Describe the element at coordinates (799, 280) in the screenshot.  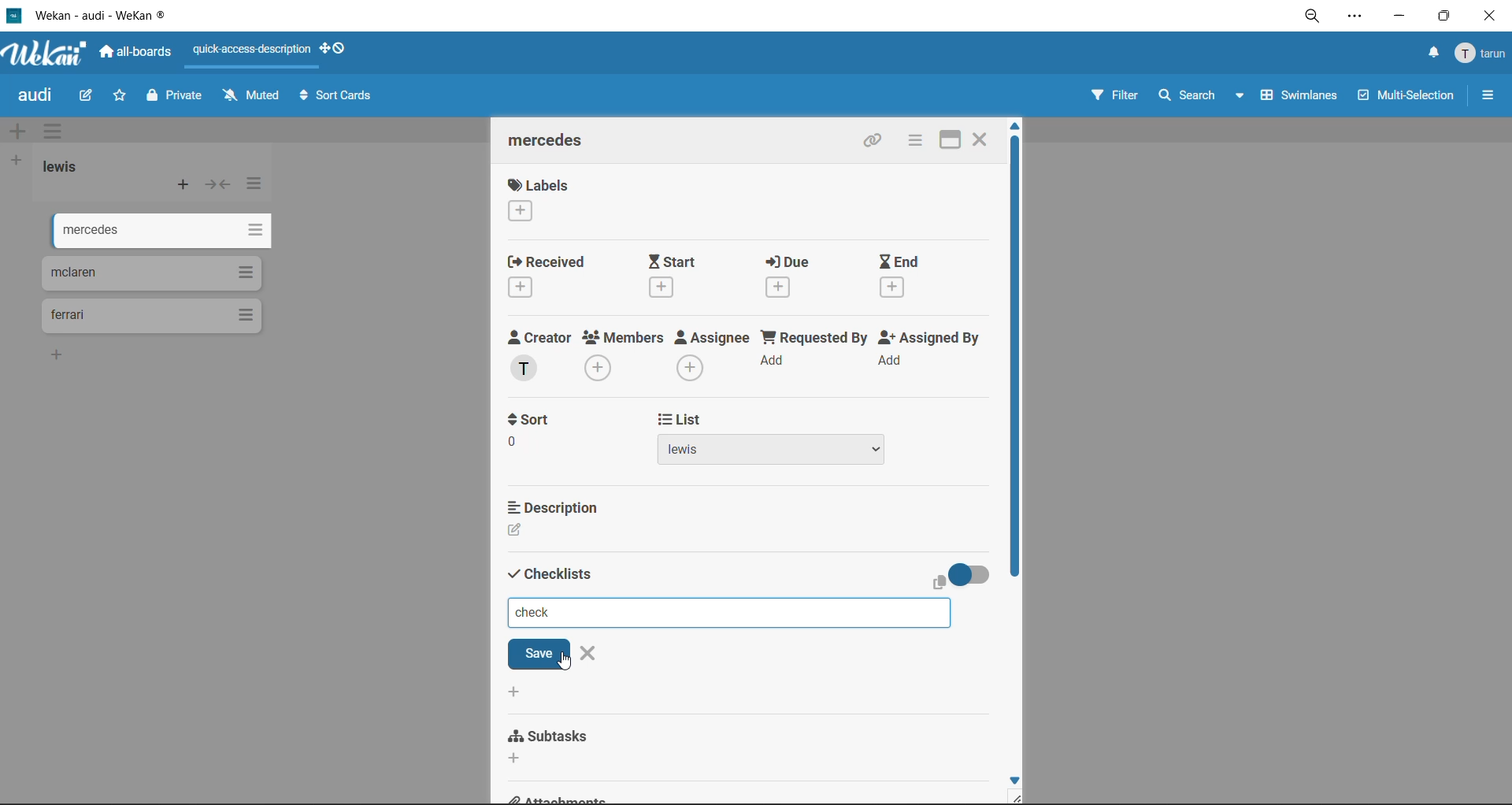
I see `due` at that location.